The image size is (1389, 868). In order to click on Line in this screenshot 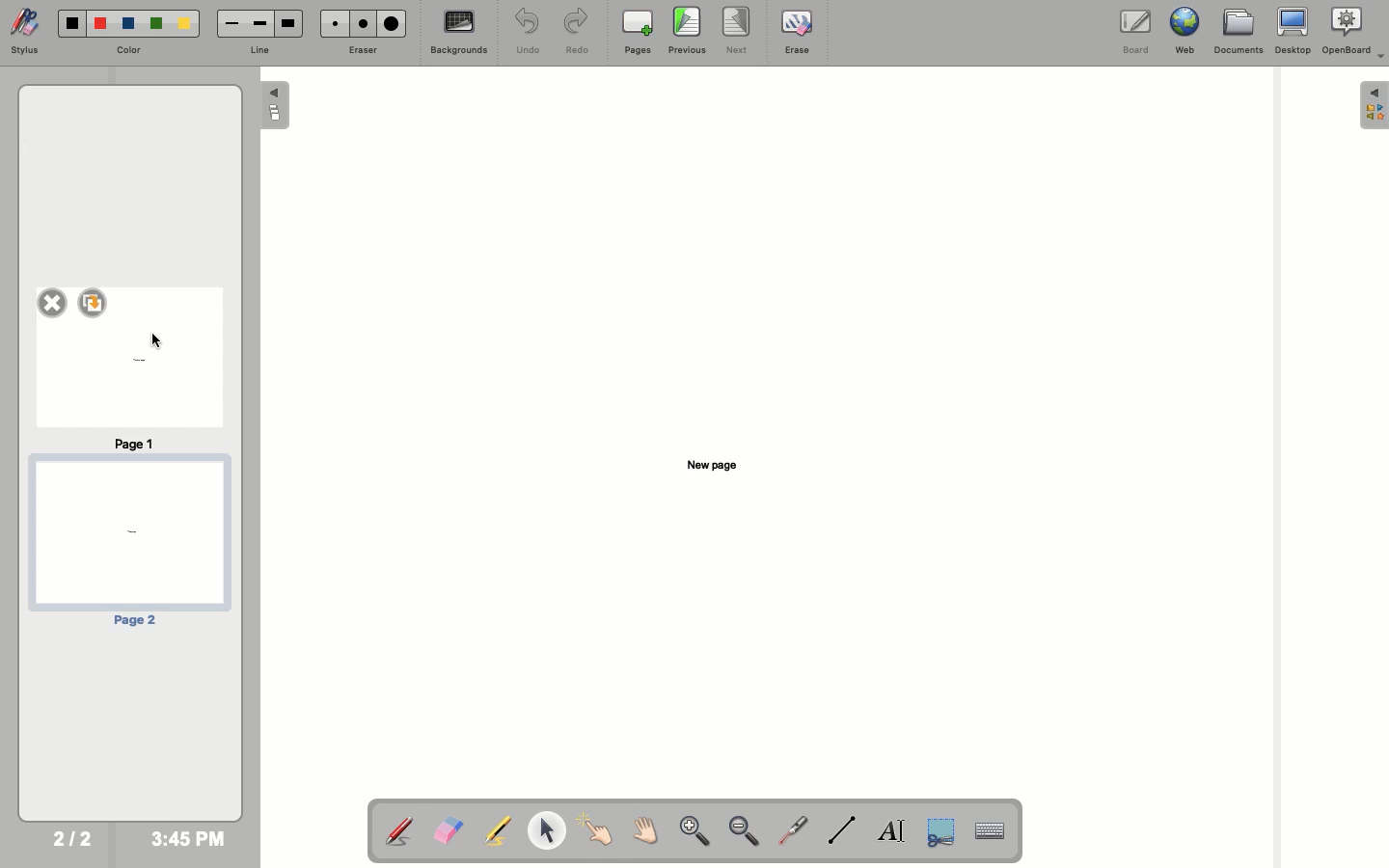, I will do `click(256, 52)`.